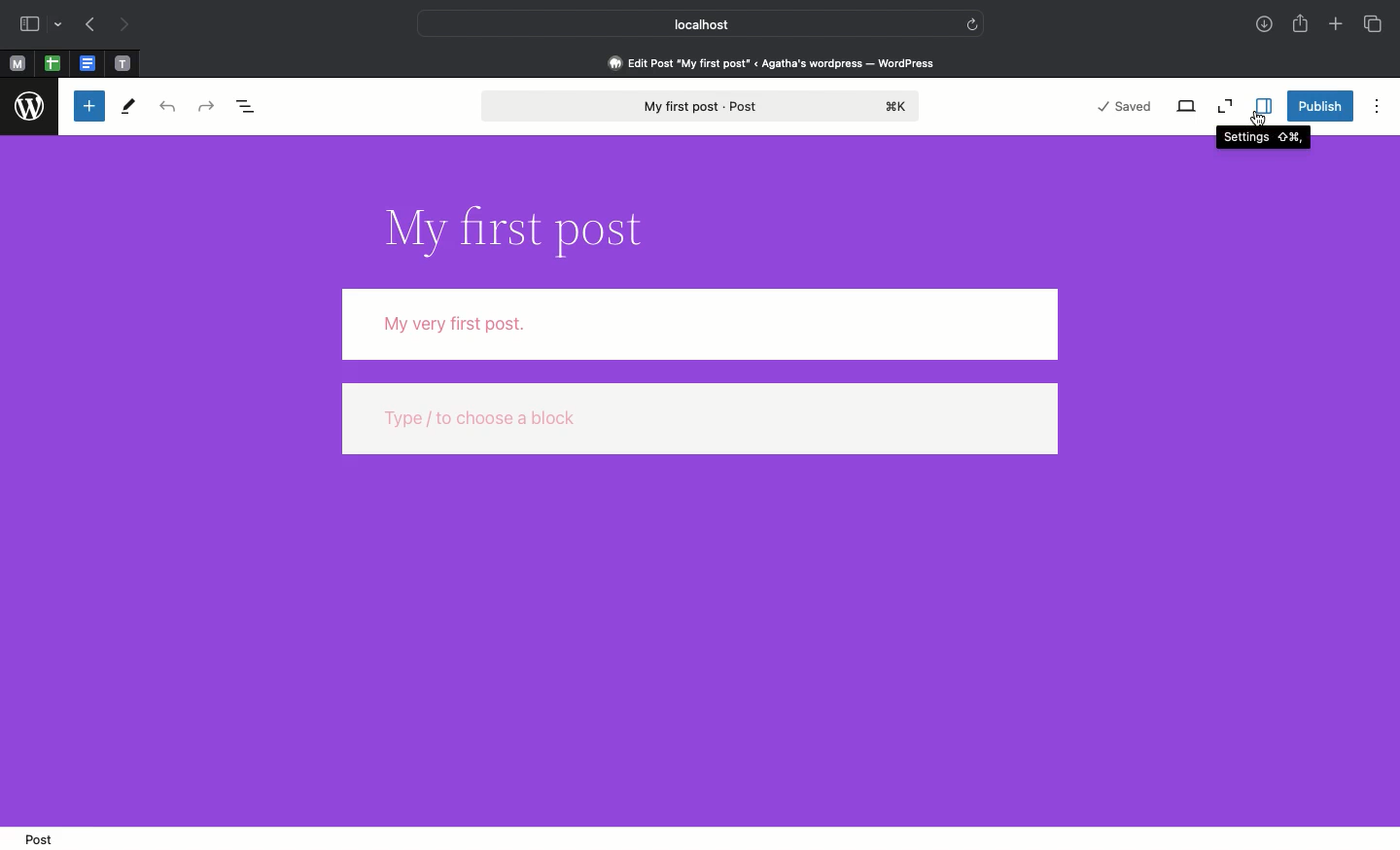 This screenshot has height=850, width=1400. Describe the element at coordinates (772, 62) in the screenshot. I see `Edit post 'my first post' < agatha's wordpress - wordpress` at that location.